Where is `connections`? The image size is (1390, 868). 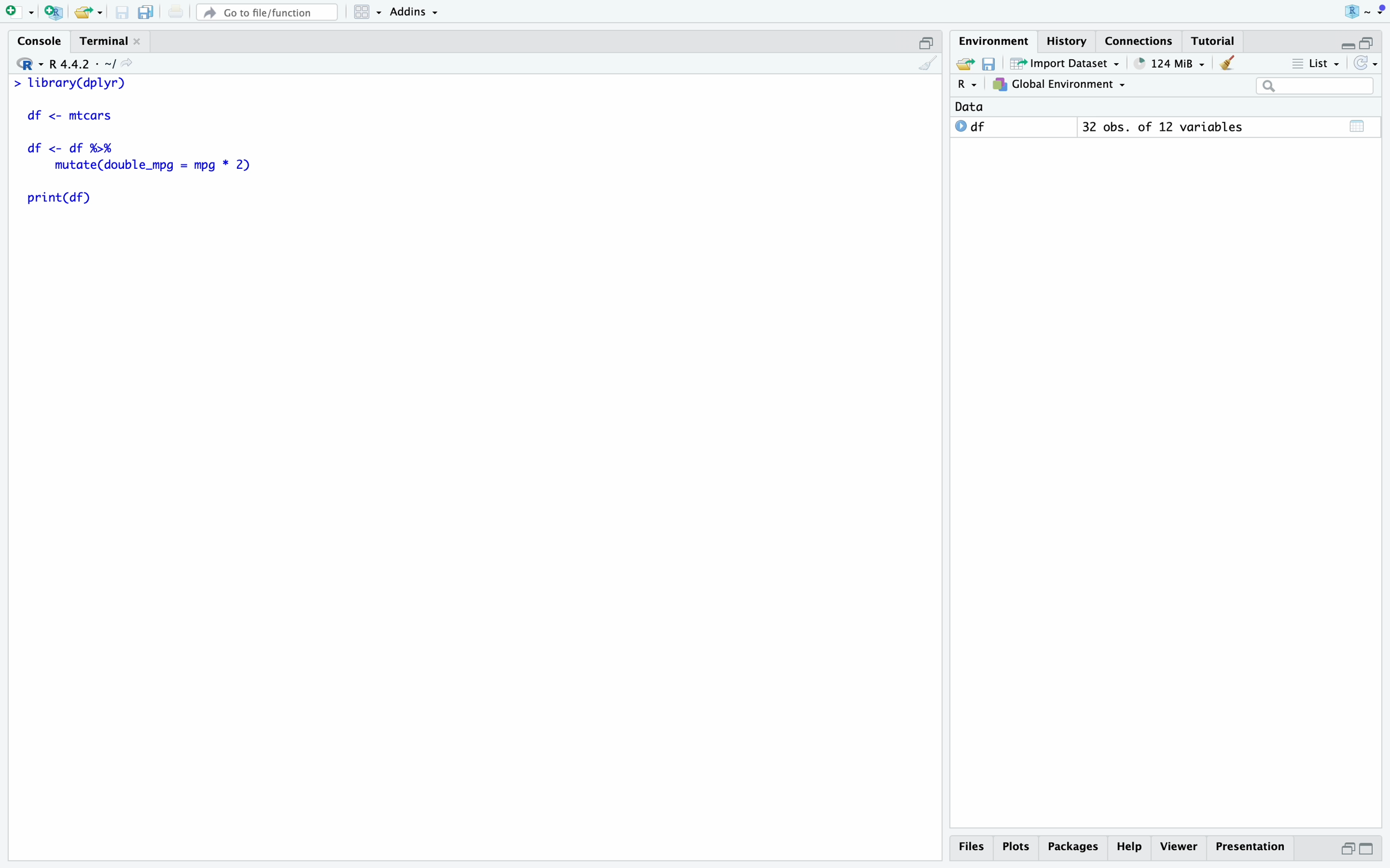
connections is located at coordinates (1140, 41).